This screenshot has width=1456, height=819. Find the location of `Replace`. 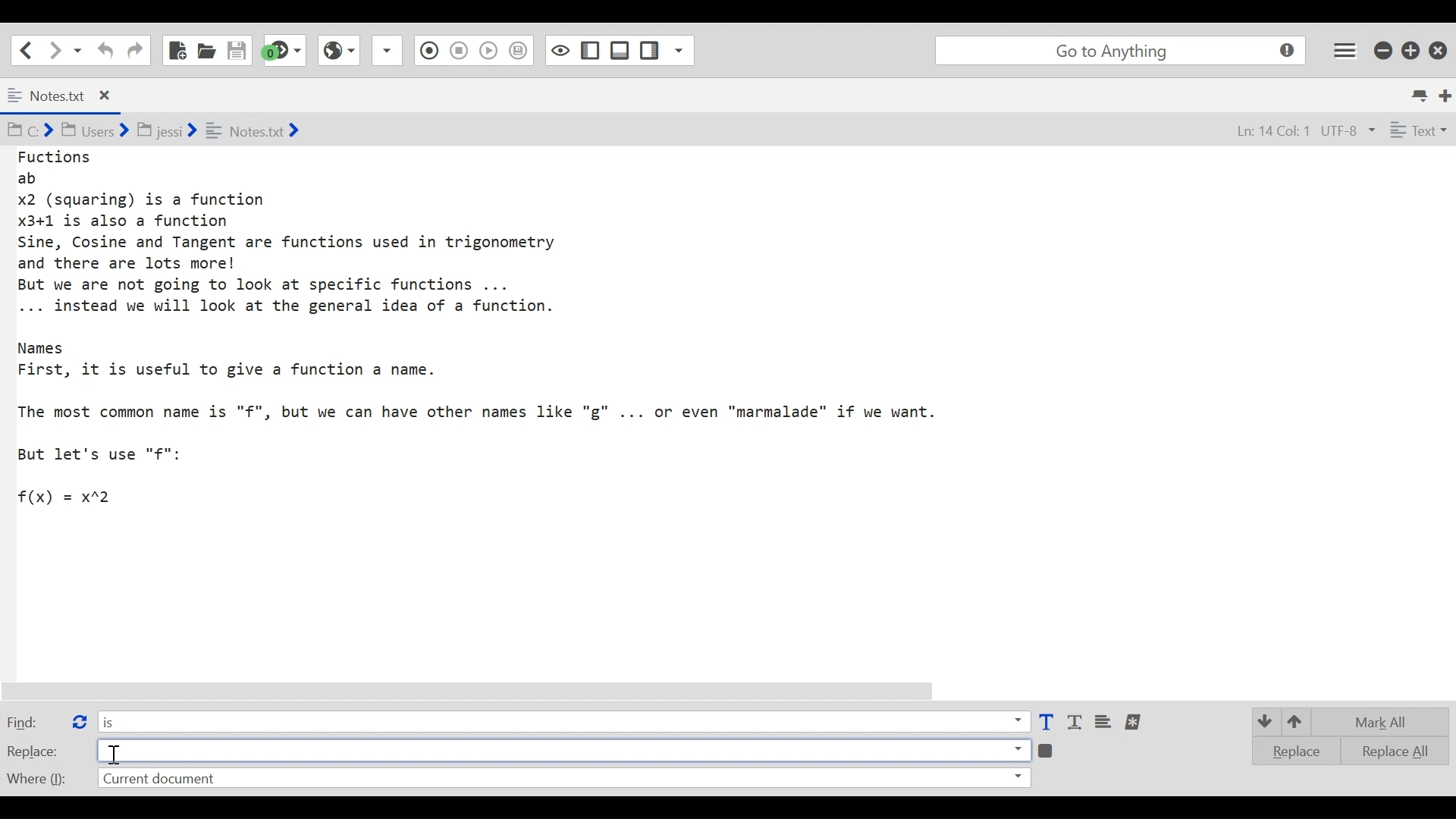

Replace is located at coordinates (1291, 751).